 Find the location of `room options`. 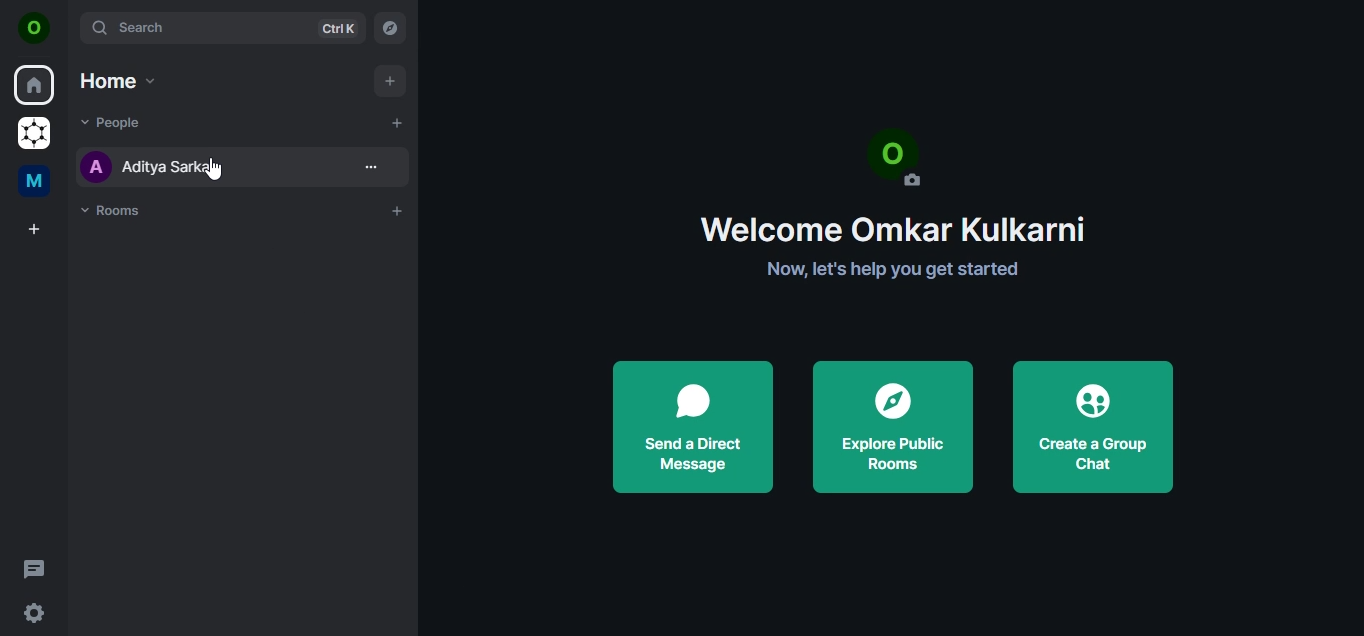

room options is located at coordinates (375, 170).